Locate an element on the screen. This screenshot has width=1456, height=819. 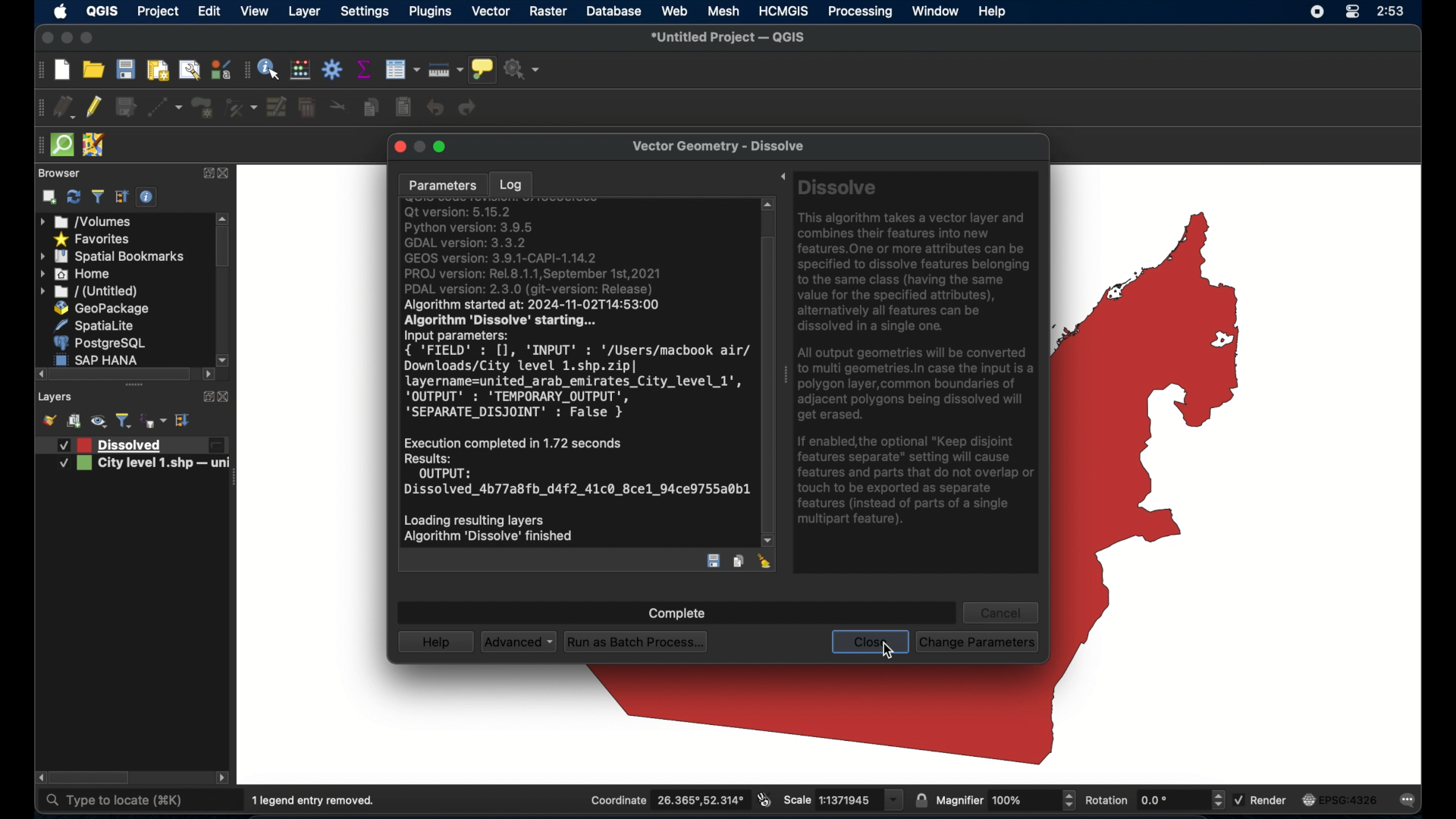
add group is located at coordinates (74, 422).